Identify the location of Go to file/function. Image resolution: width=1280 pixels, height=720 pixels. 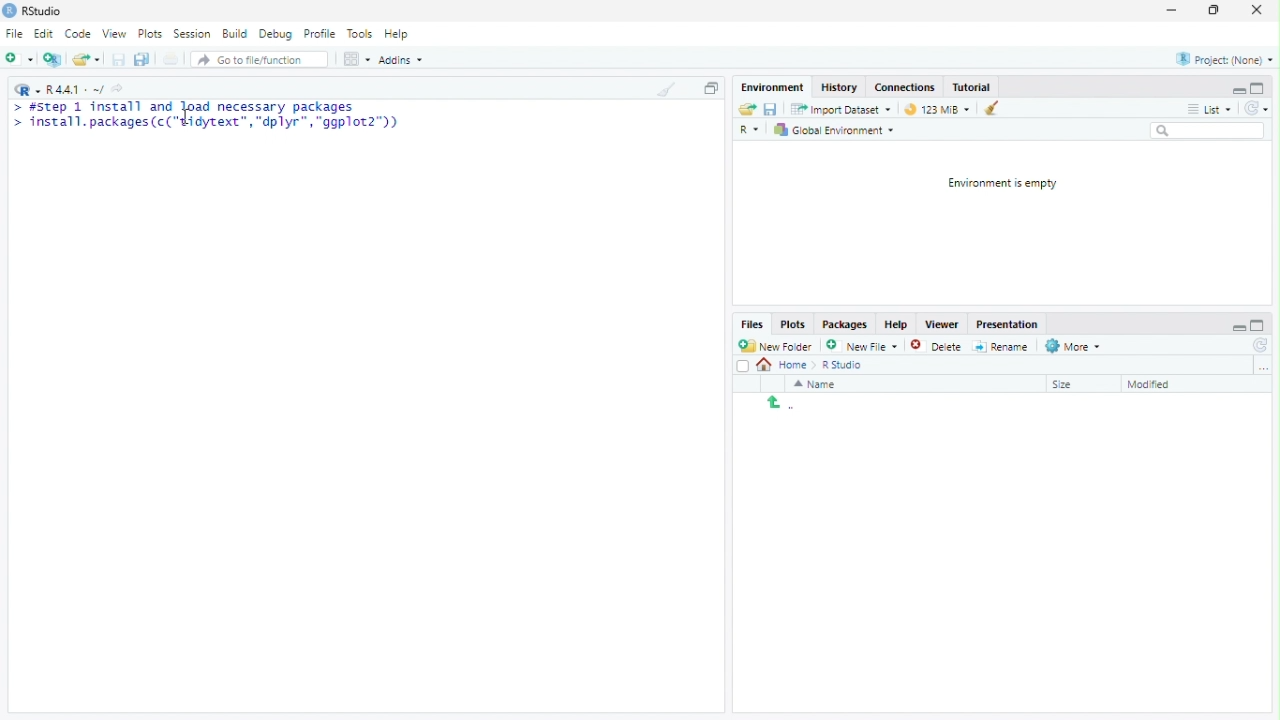
(252, 60).